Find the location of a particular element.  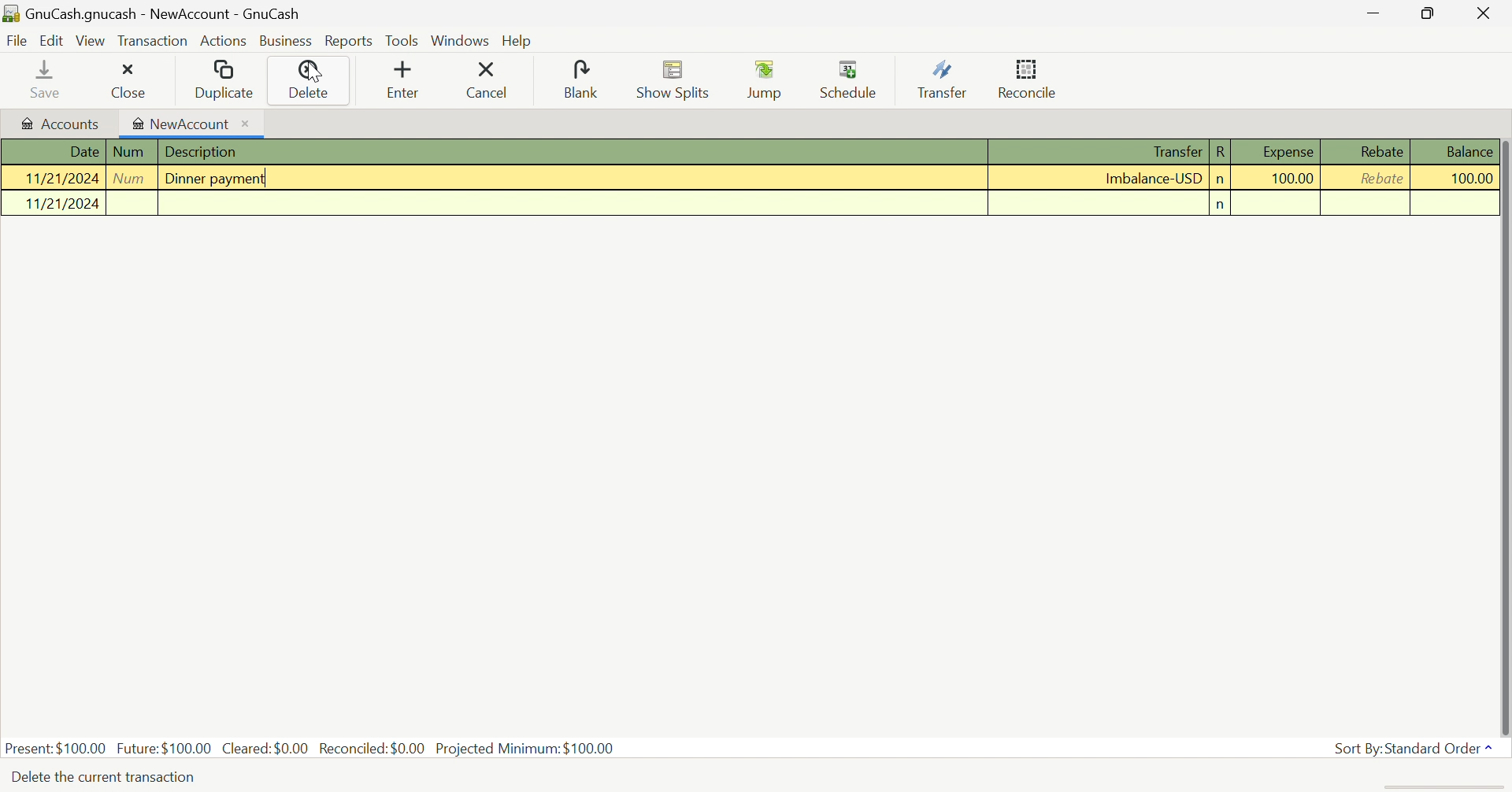

Tools is located at coordinates (403, 39).